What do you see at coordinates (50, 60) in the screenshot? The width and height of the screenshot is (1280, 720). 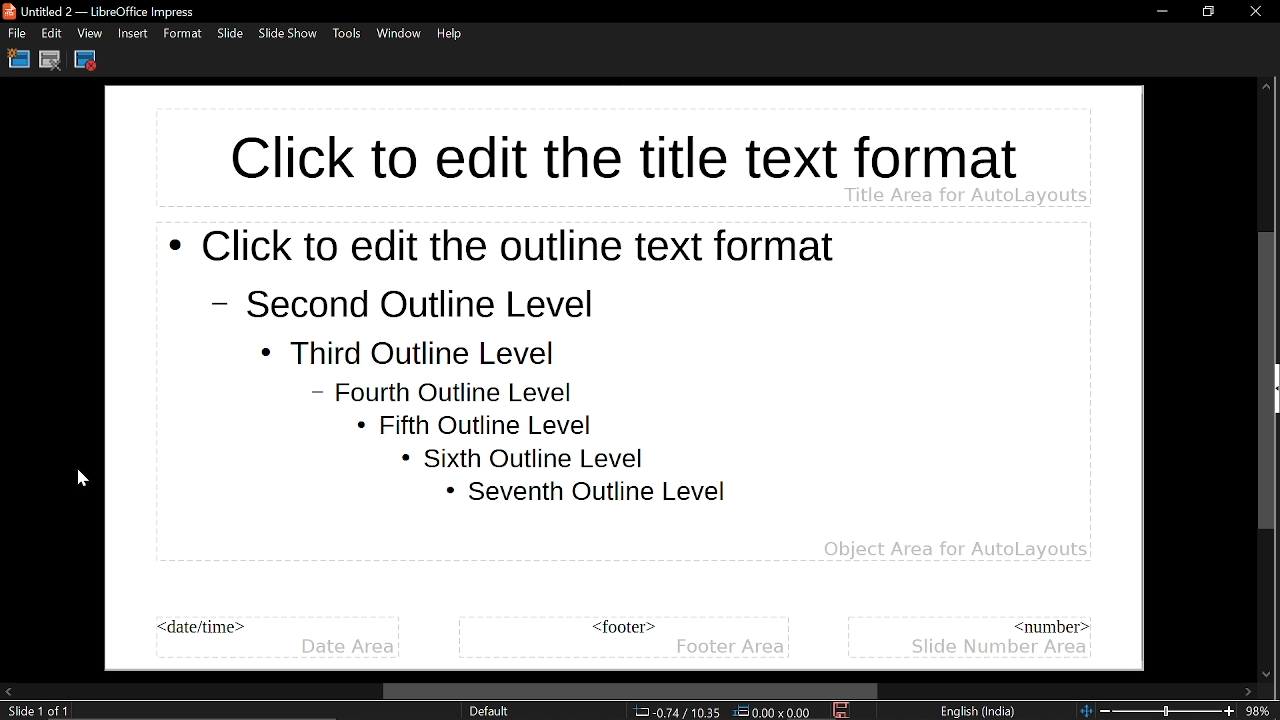 I see `Delete Master ` at bounding box center [50, 60].